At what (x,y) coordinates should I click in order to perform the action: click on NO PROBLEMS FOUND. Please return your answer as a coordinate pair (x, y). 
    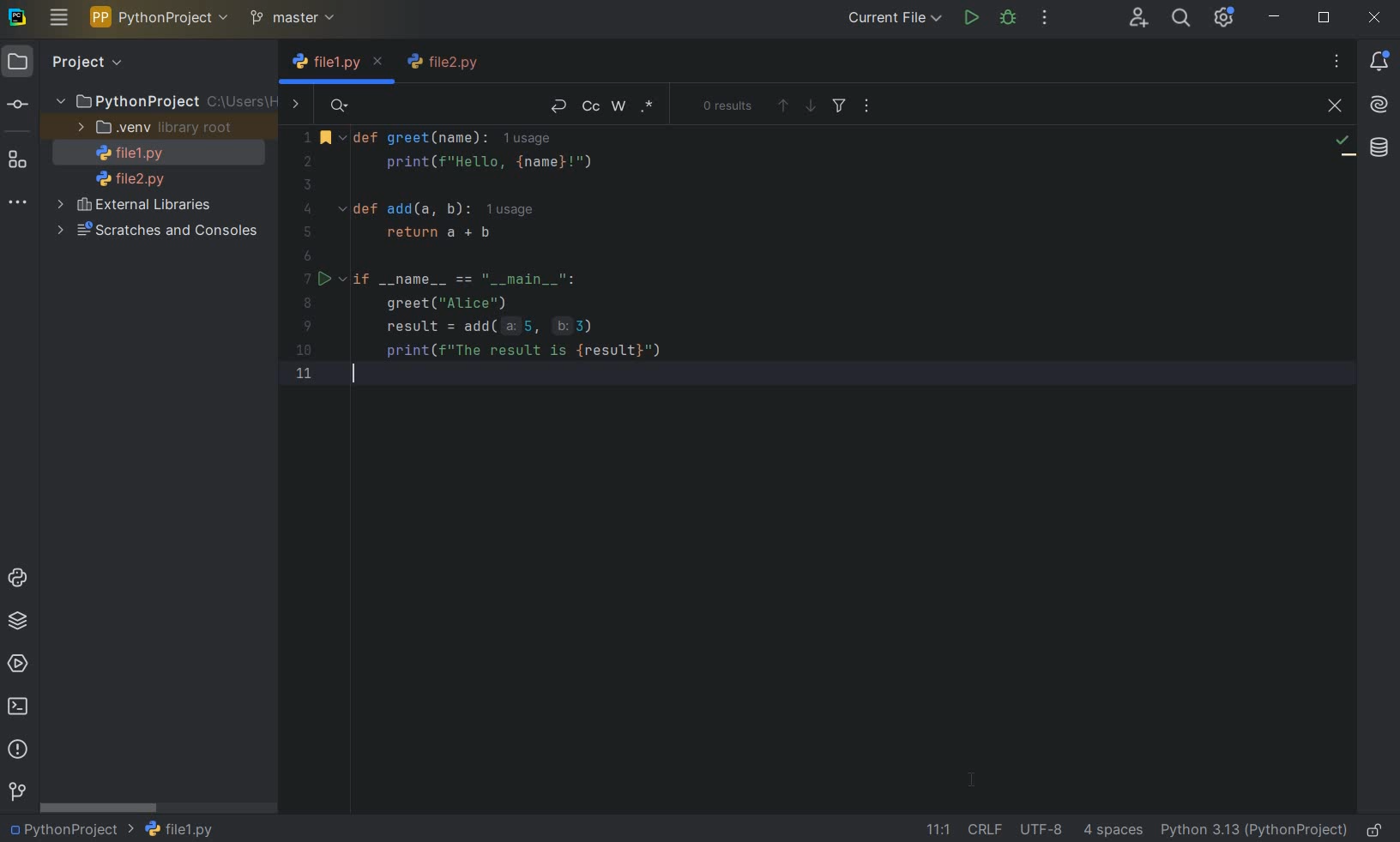
    Looking at the image, I should click on (1343, 146).